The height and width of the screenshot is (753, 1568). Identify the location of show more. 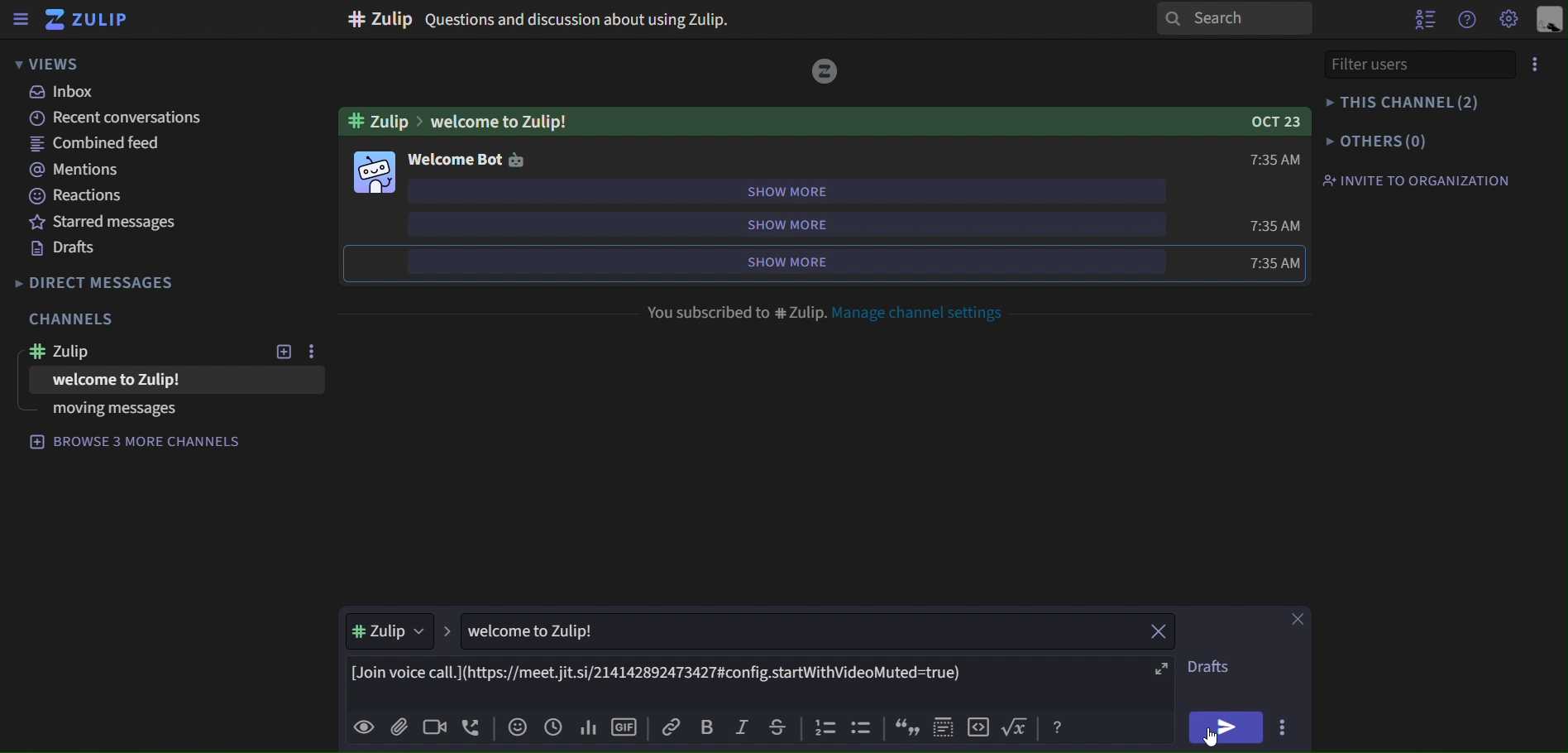
(814, 224).